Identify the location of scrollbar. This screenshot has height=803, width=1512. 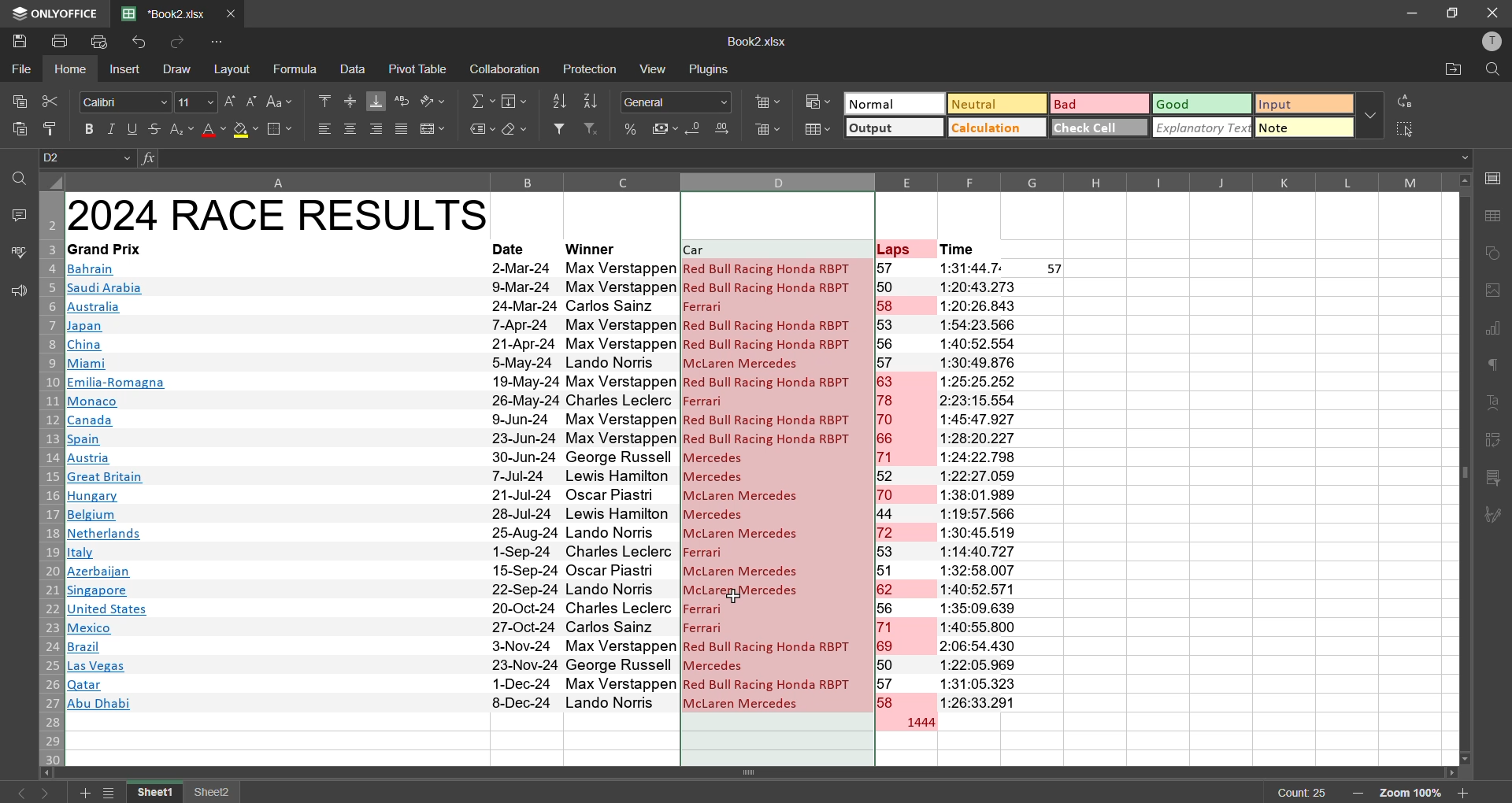
(754, 773).